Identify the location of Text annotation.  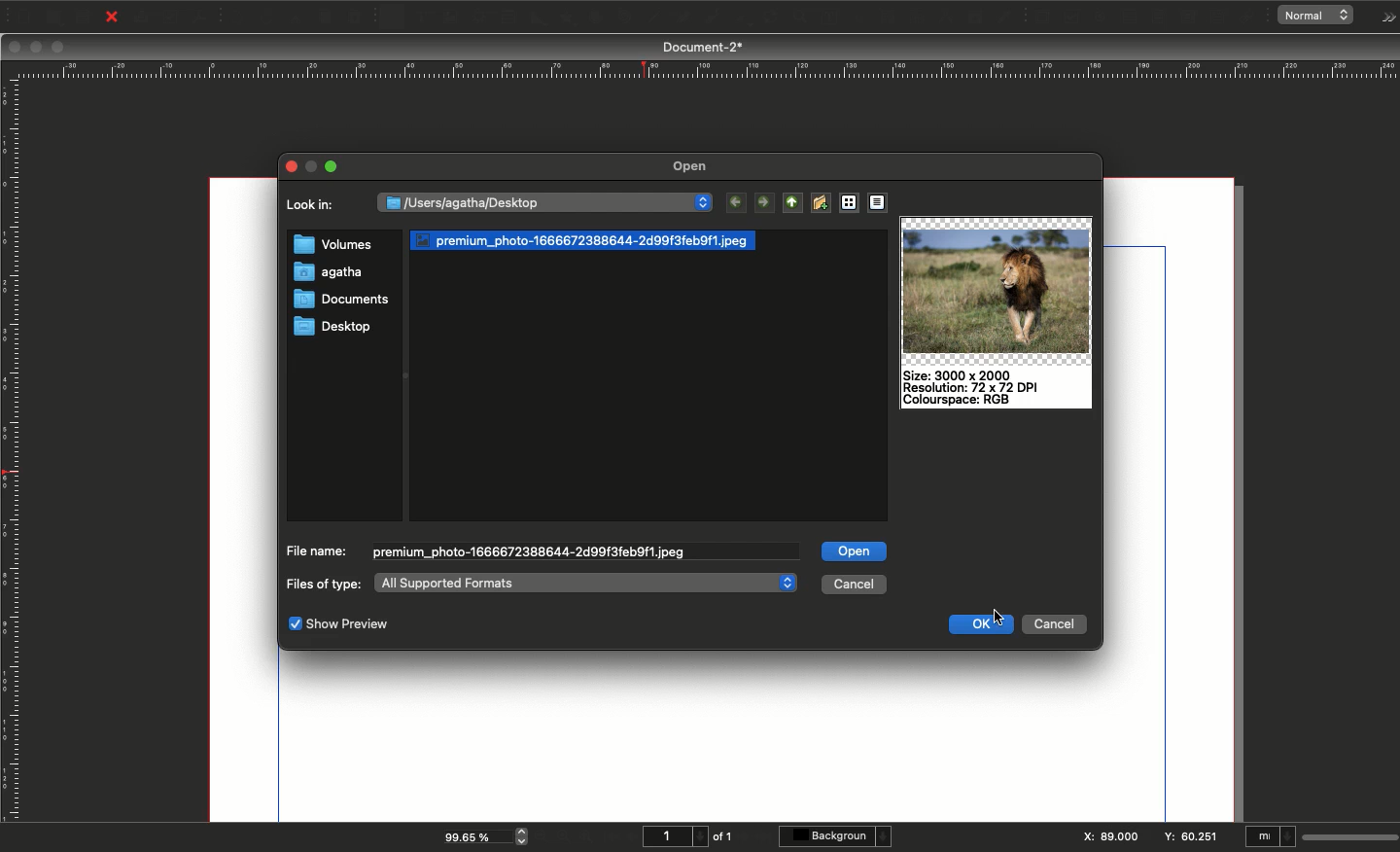
(1220, 18).